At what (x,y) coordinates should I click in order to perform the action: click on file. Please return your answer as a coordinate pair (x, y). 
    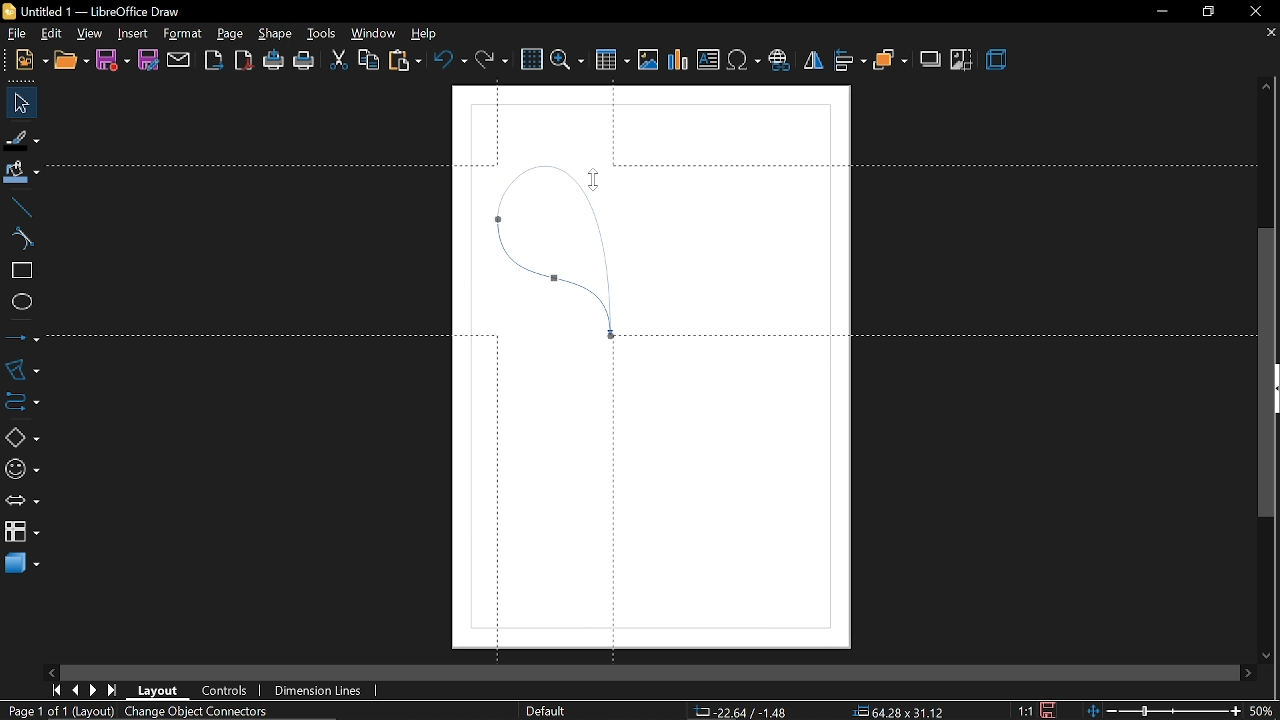
    Looking at the image, I should click on (13, 33).